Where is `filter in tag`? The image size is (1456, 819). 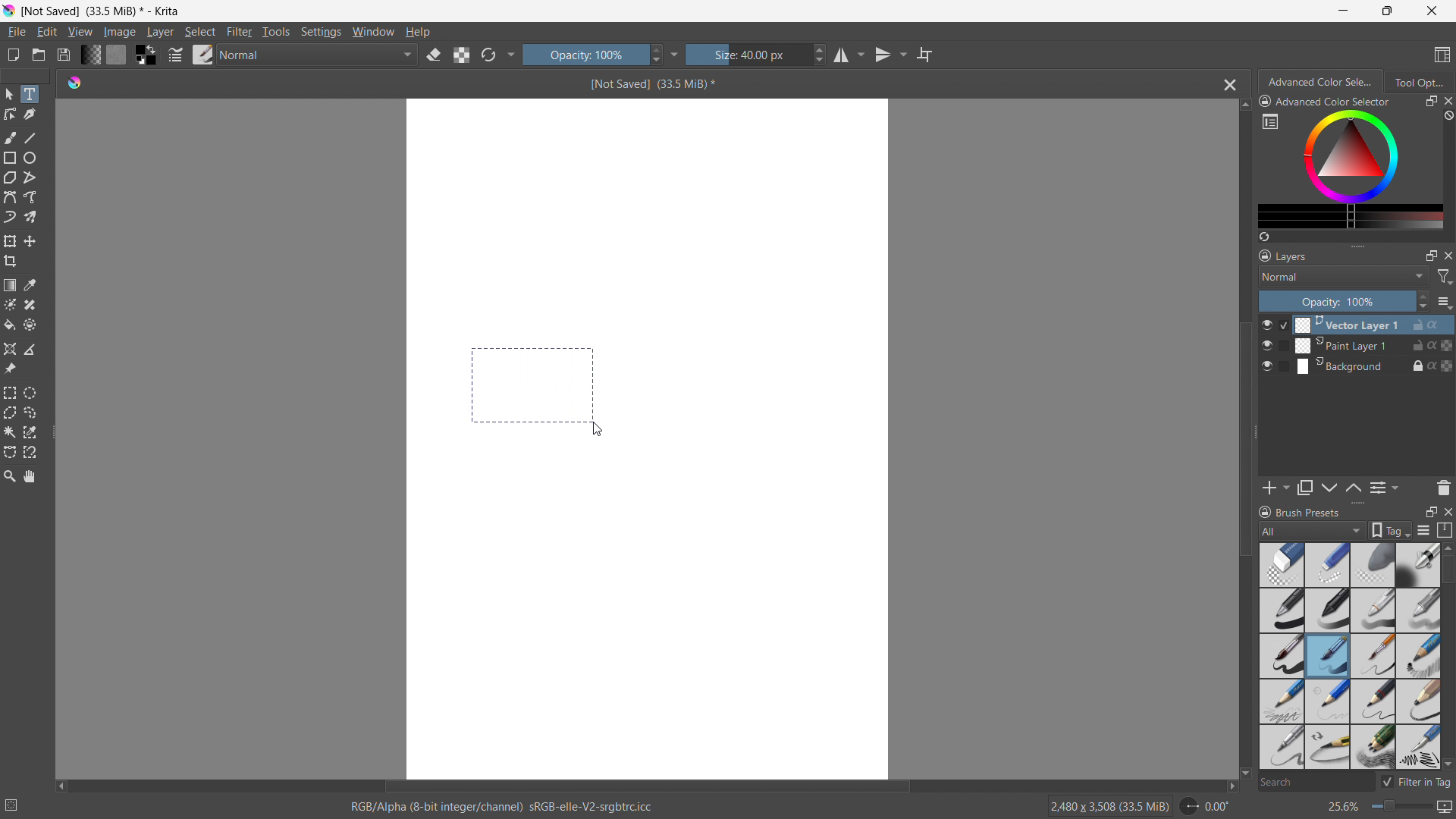
filter in tag is located at coordinates (1416, 780).